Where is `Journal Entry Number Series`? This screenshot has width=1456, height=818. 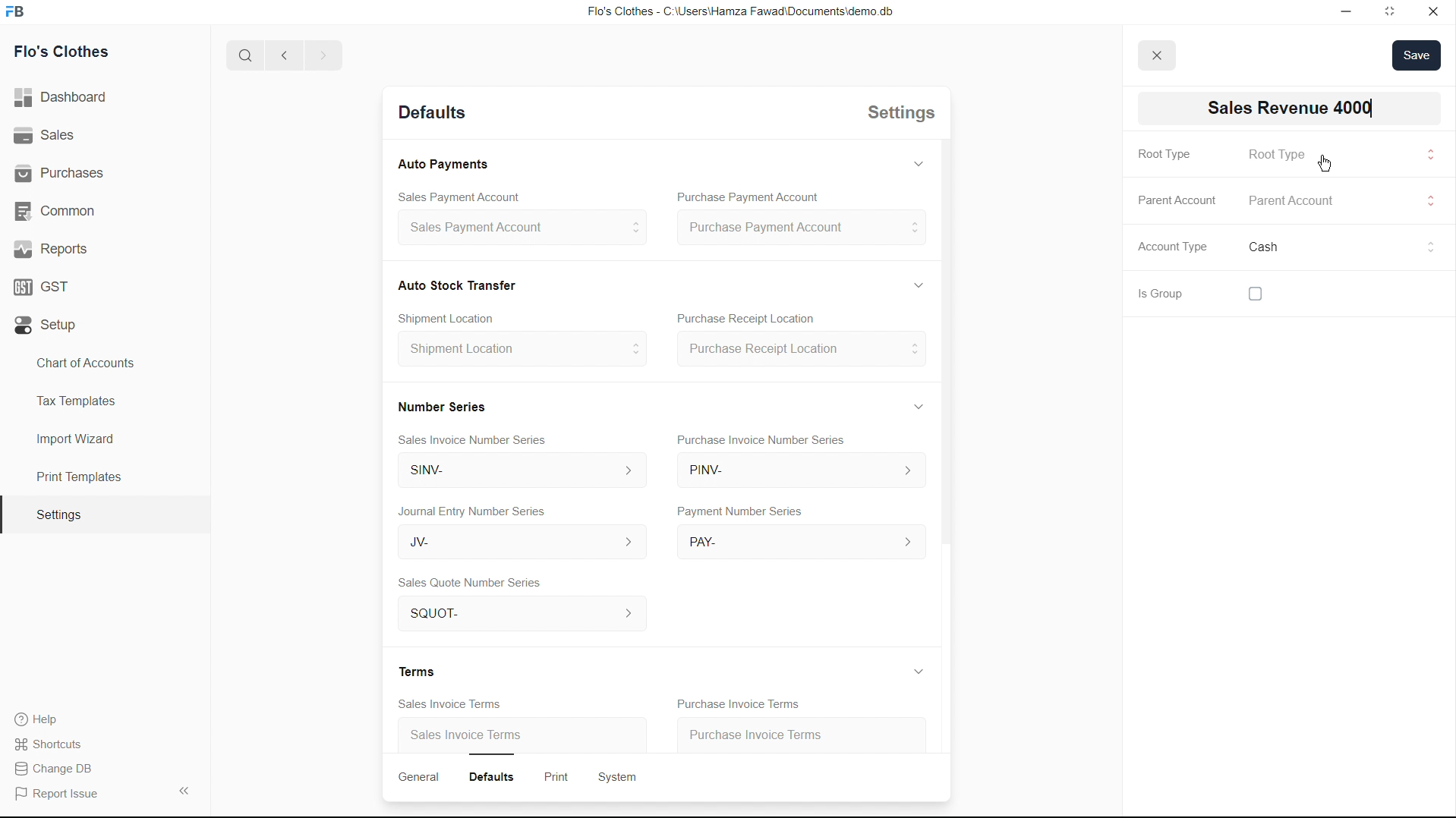
Journal Entry Number Series is located at coordinates (474, 508).